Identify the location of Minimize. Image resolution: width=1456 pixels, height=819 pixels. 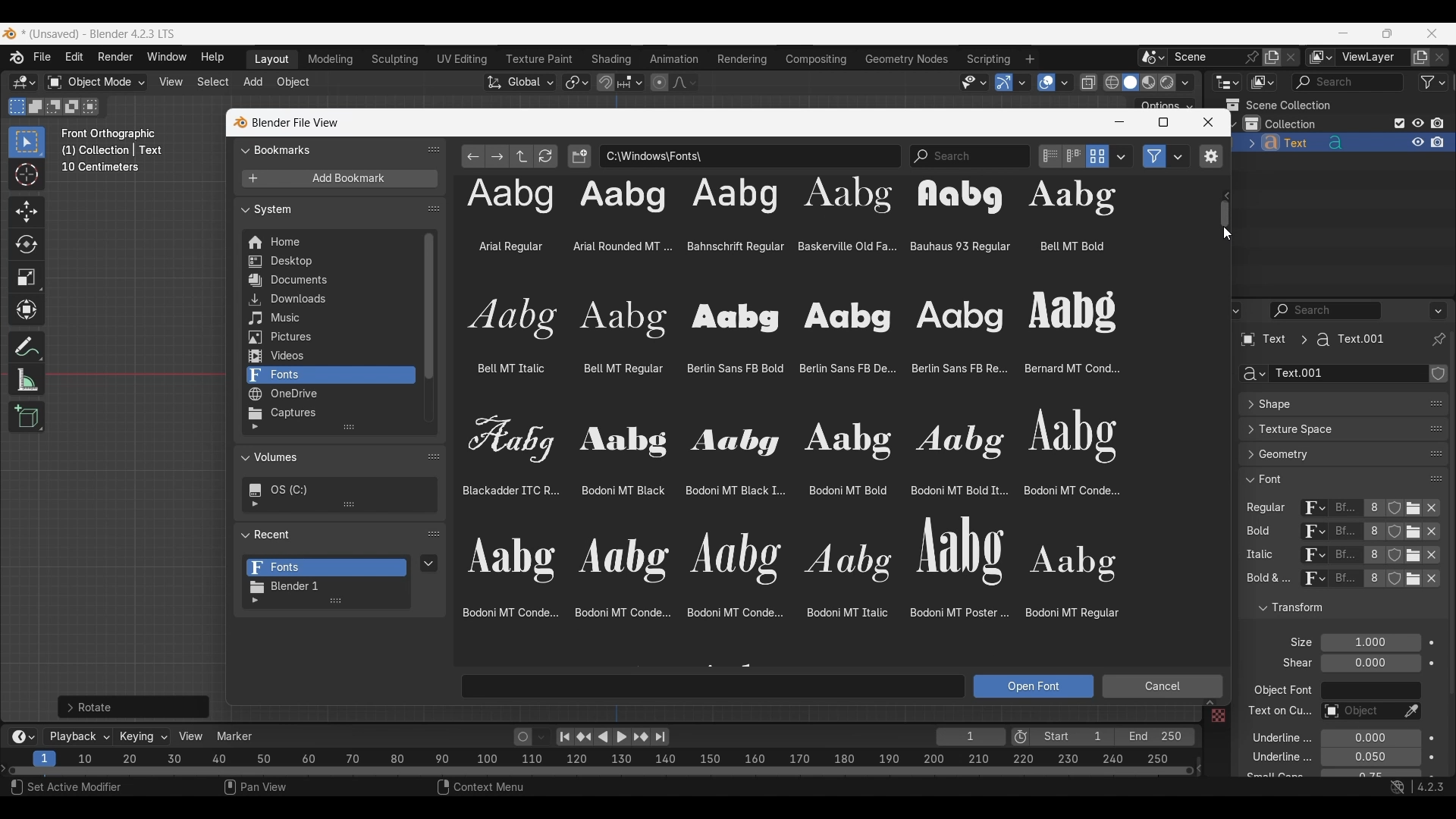
(1344, 33).